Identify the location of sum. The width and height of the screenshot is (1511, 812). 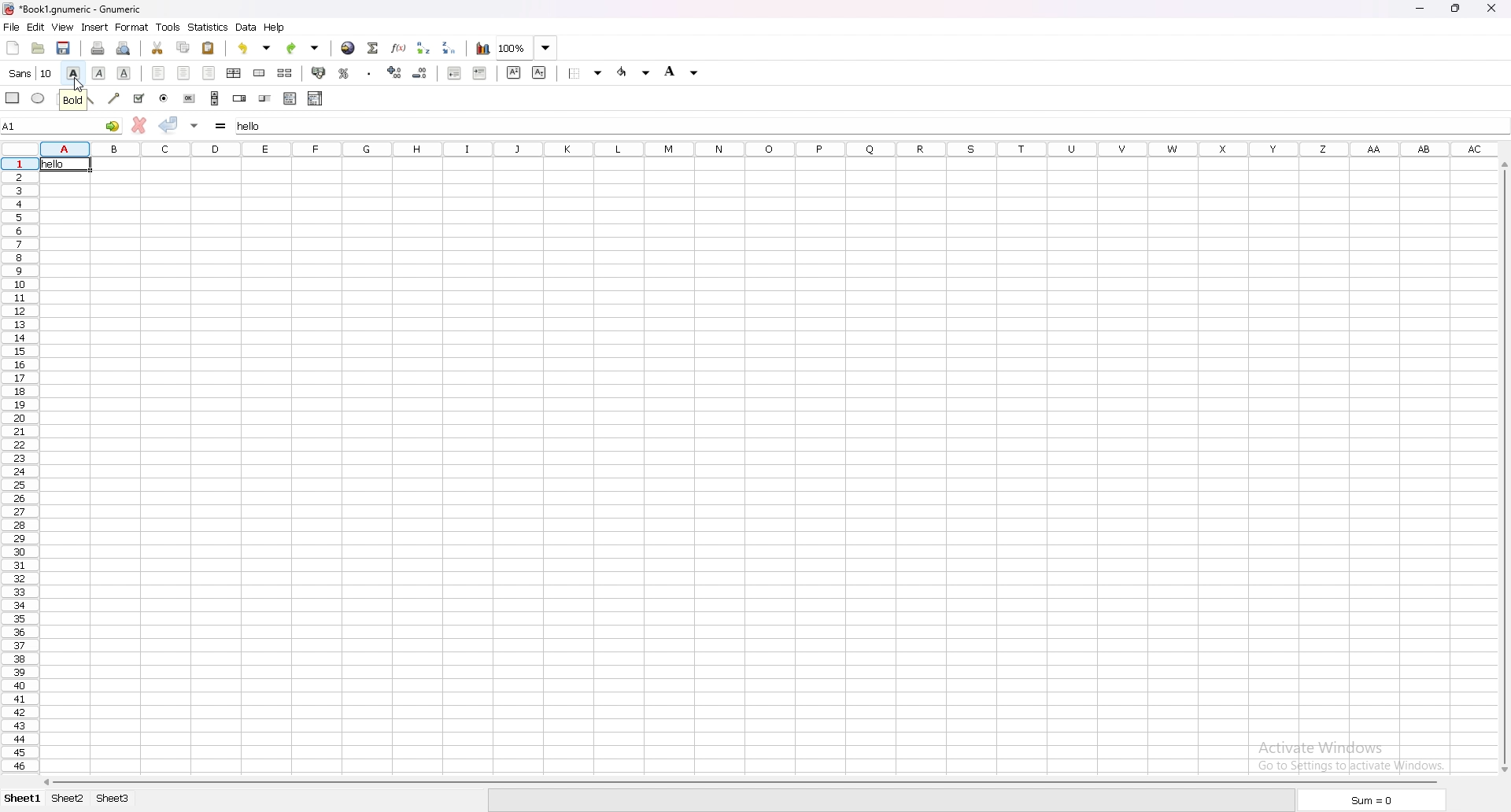
(1373, 799).